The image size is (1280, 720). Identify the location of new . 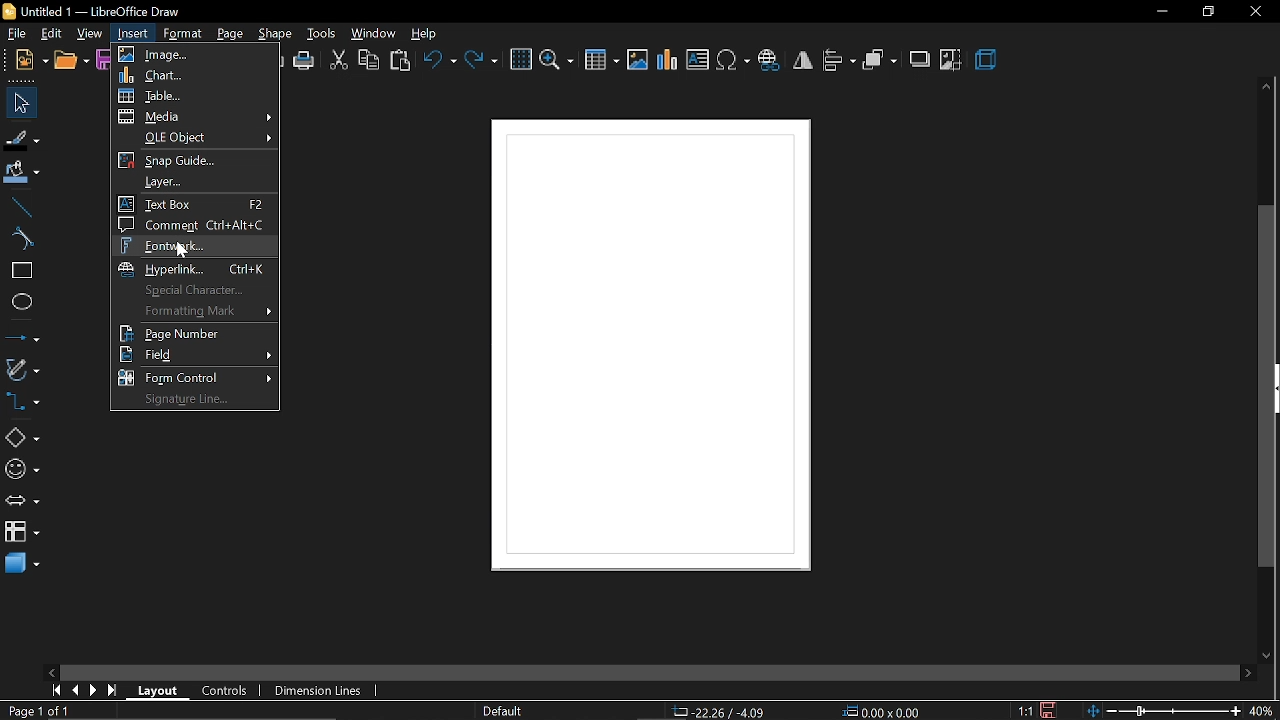
(30, 59).